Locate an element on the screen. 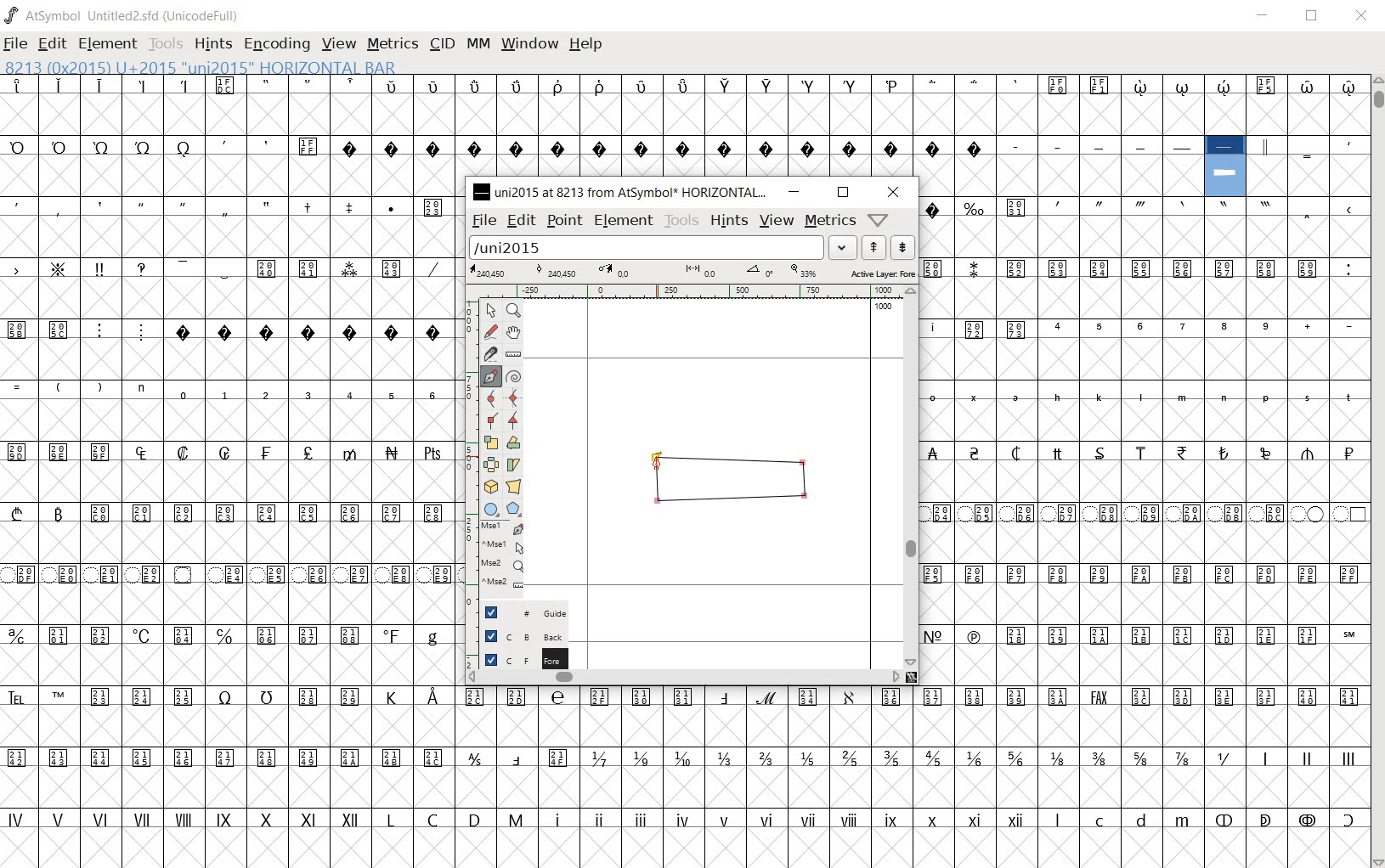 Image resolution: width=1385 pixels, height=868 pixels. Background is located at coordinates (518, 636).